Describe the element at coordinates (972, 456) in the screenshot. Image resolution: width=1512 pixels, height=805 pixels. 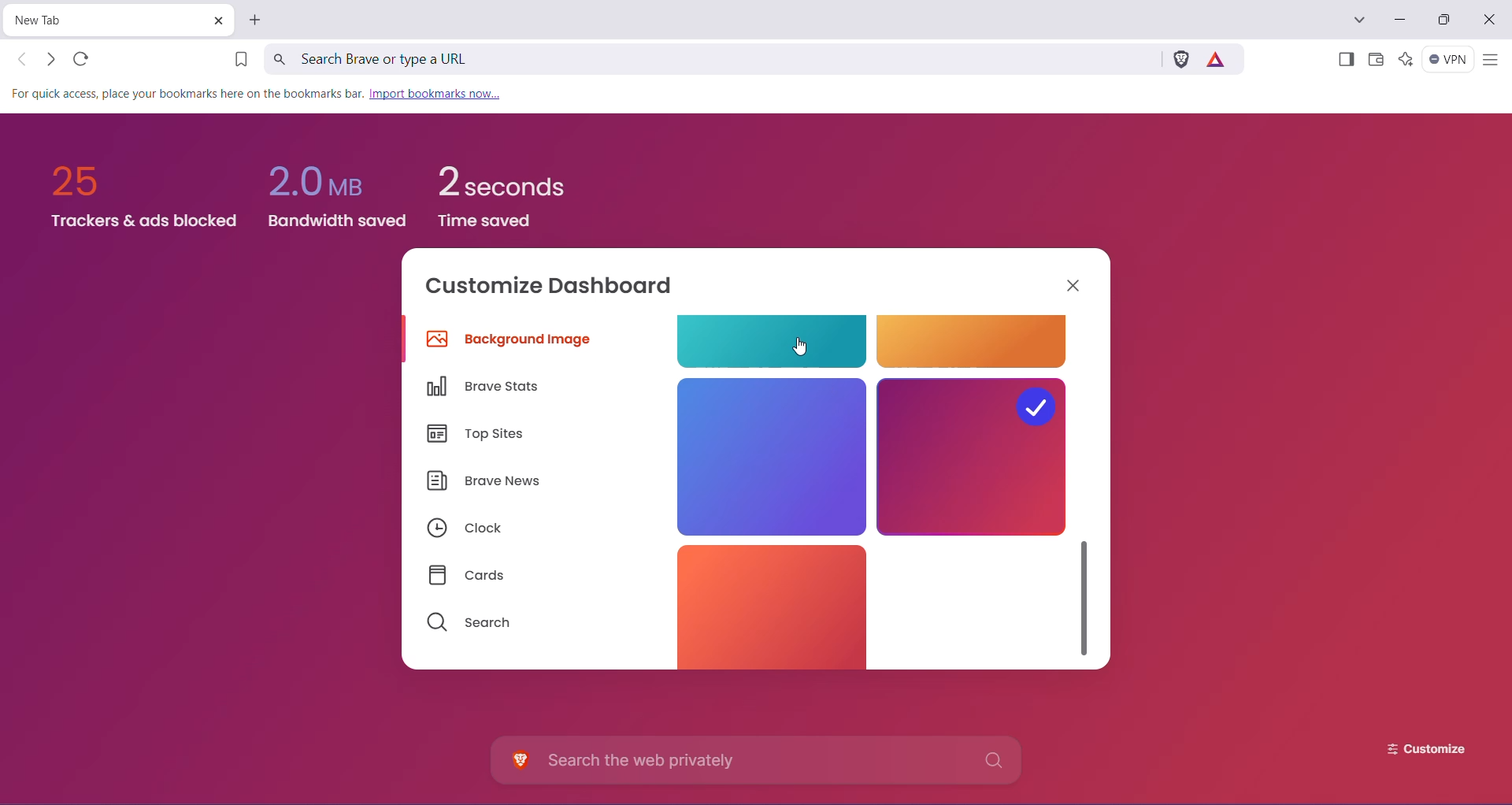
I see `color 2 #aa295f` at that location.